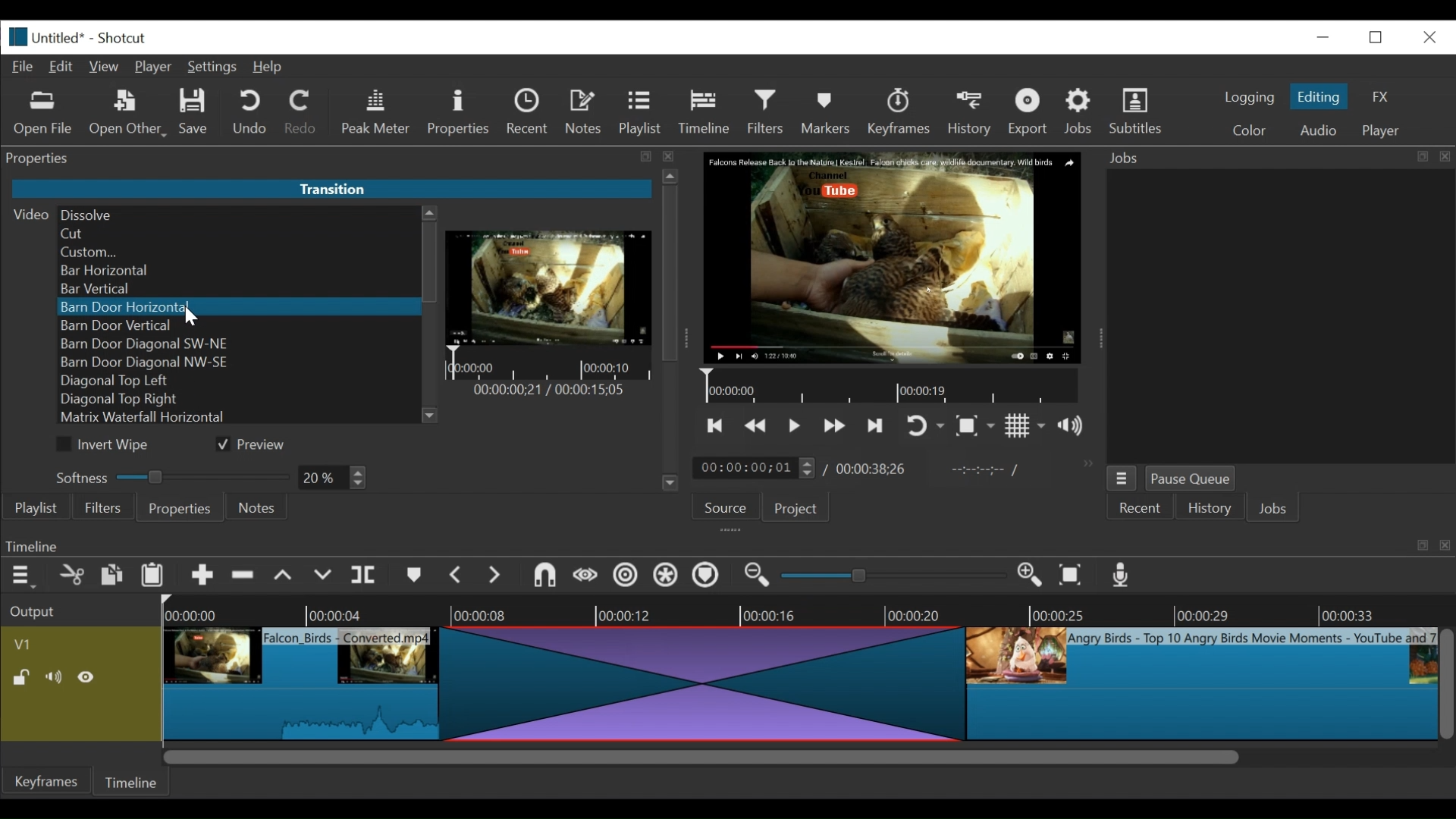 The image size is (1456, 819). I want to click on Field, so click(333, 479).